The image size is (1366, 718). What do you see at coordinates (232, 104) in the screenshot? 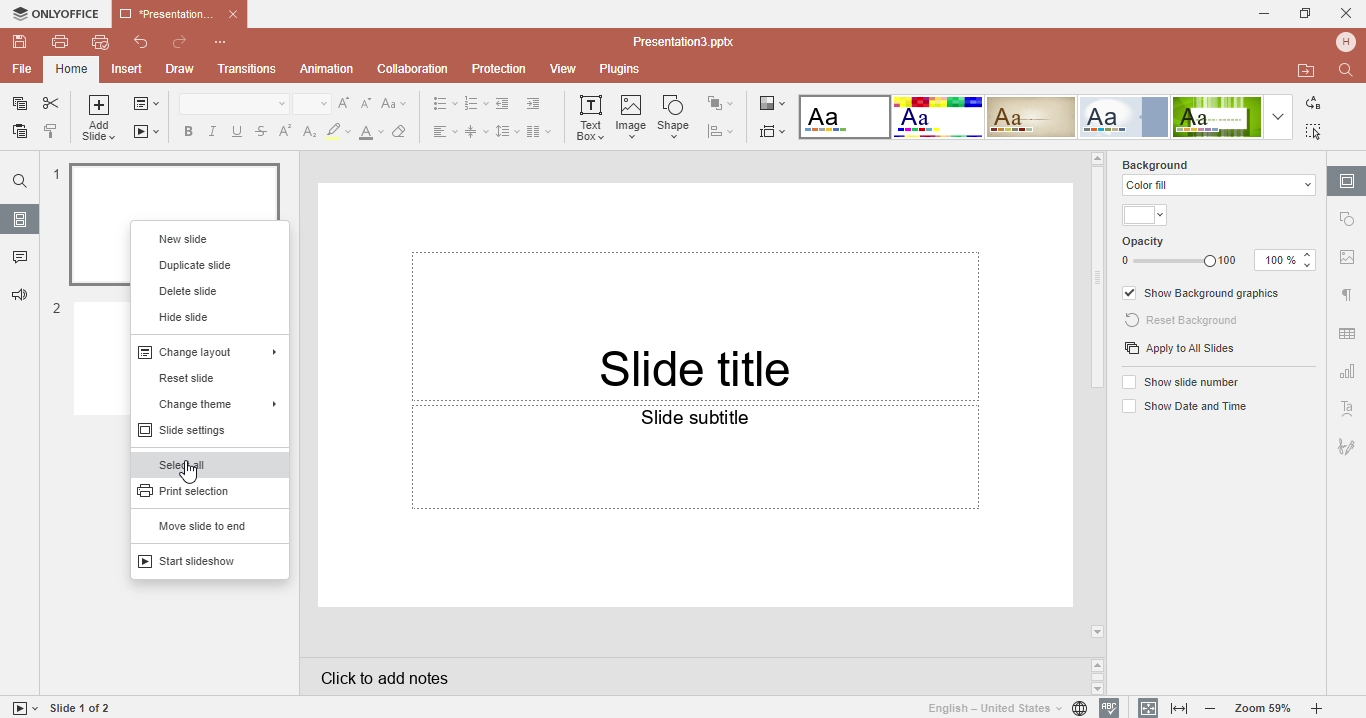
I see `Font` at bounding box center [232, 104].